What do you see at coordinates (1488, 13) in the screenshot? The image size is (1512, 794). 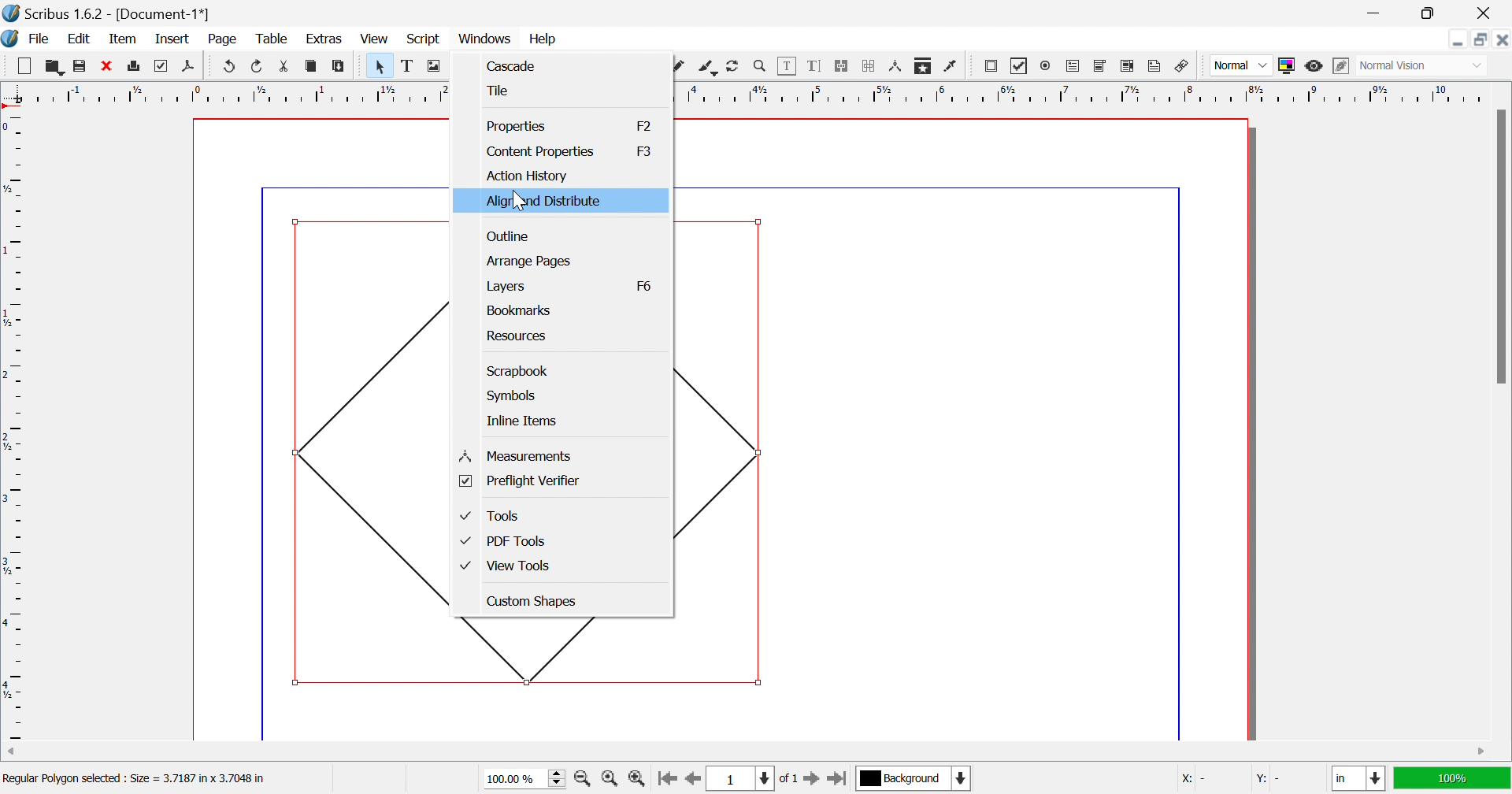 I see `Close` at bounding box center [1488, 13].